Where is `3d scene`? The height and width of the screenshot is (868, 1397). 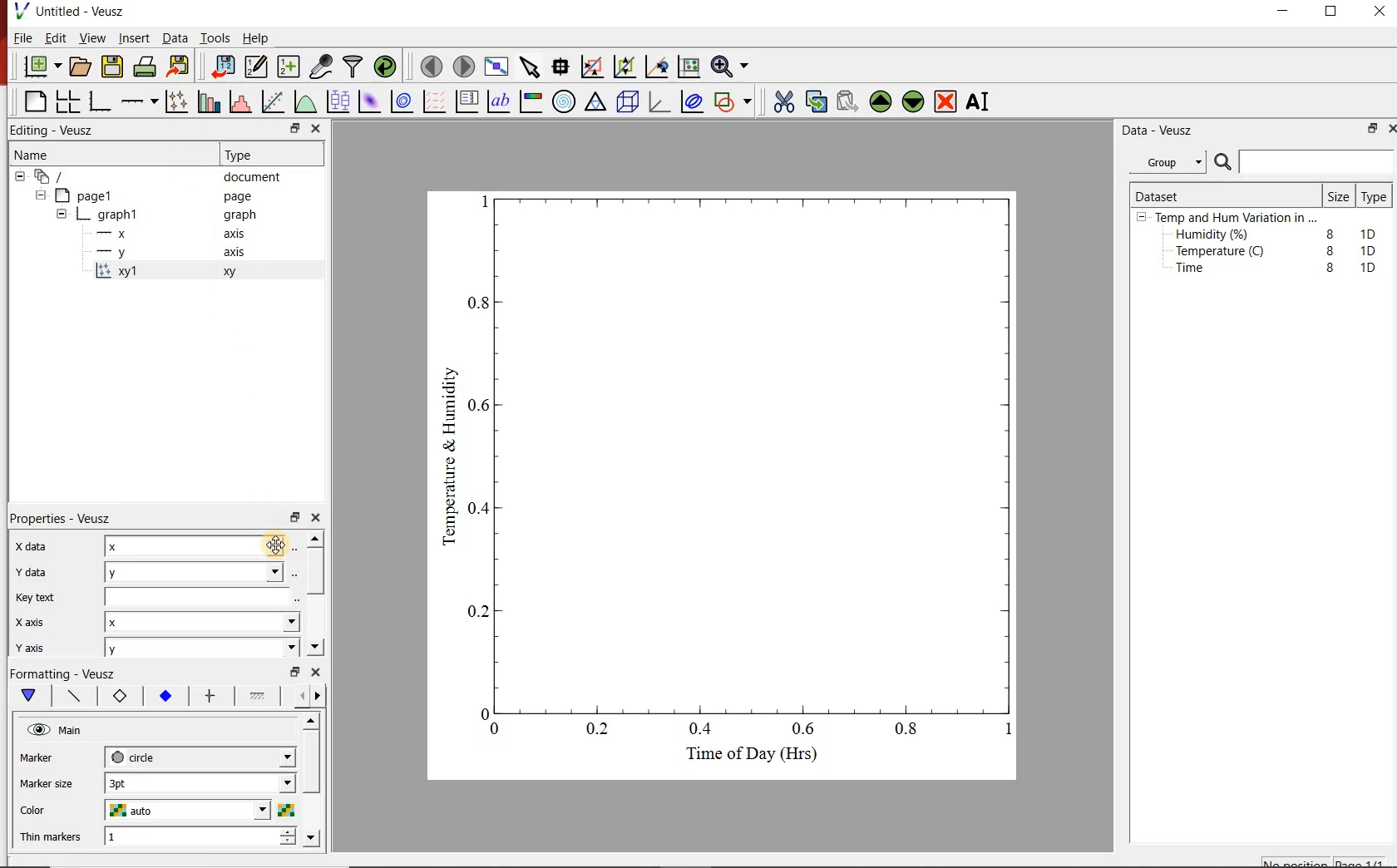
3d scene is located at coordinates (629, 104).